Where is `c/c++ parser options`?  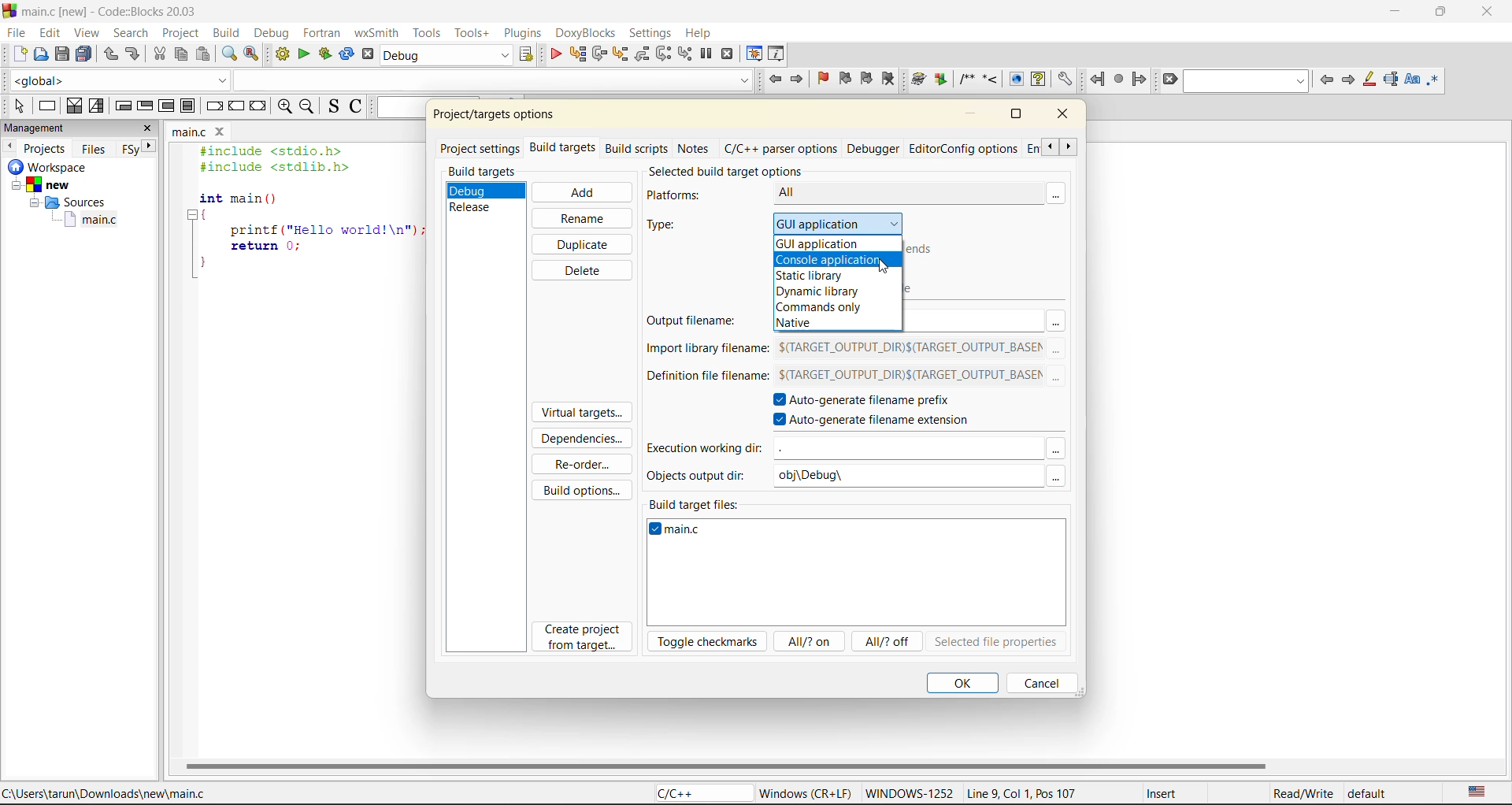
c/c++ parser options is located at coordinates (780, 149).